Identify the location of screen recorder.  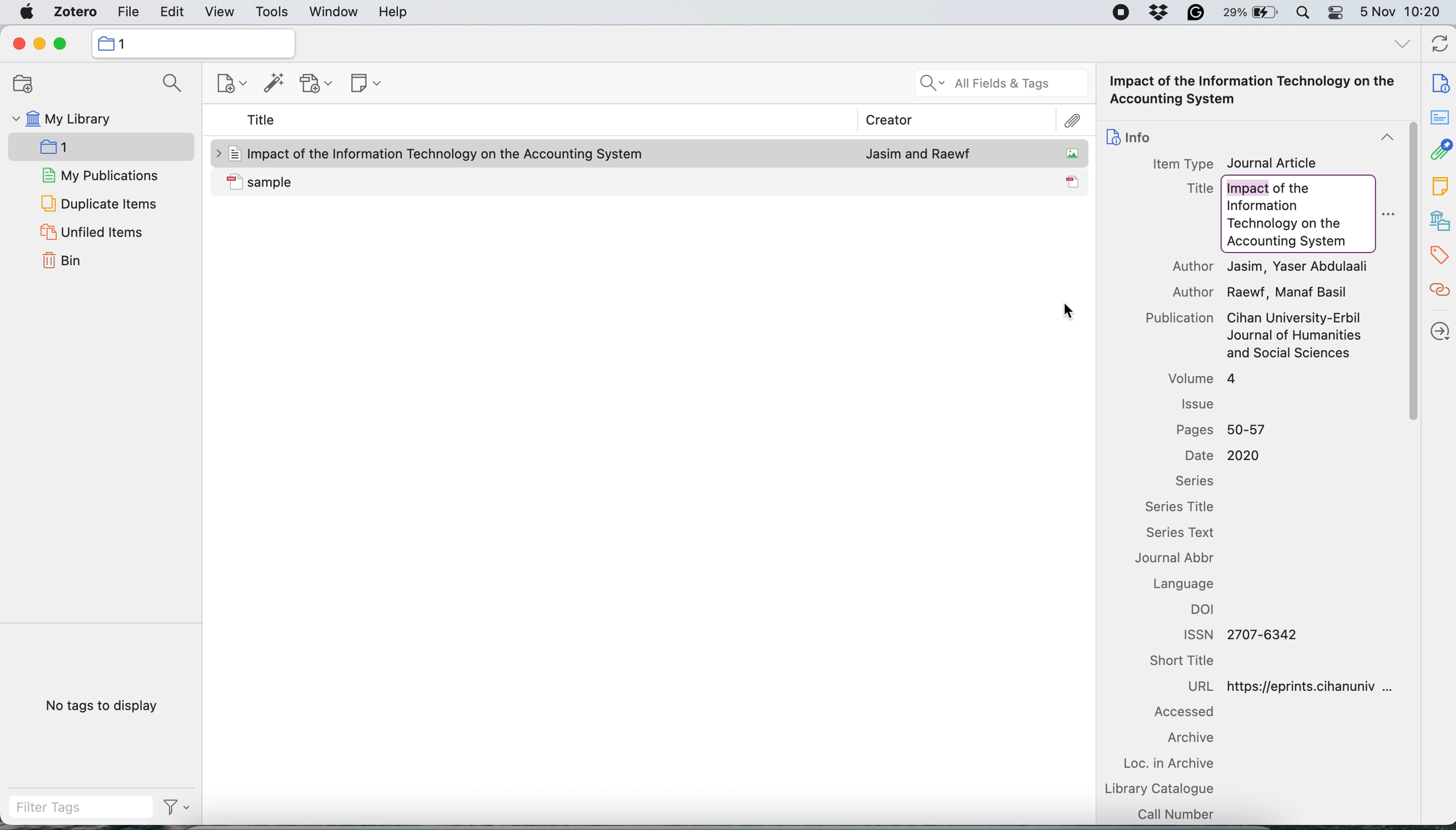
(1123, 12).